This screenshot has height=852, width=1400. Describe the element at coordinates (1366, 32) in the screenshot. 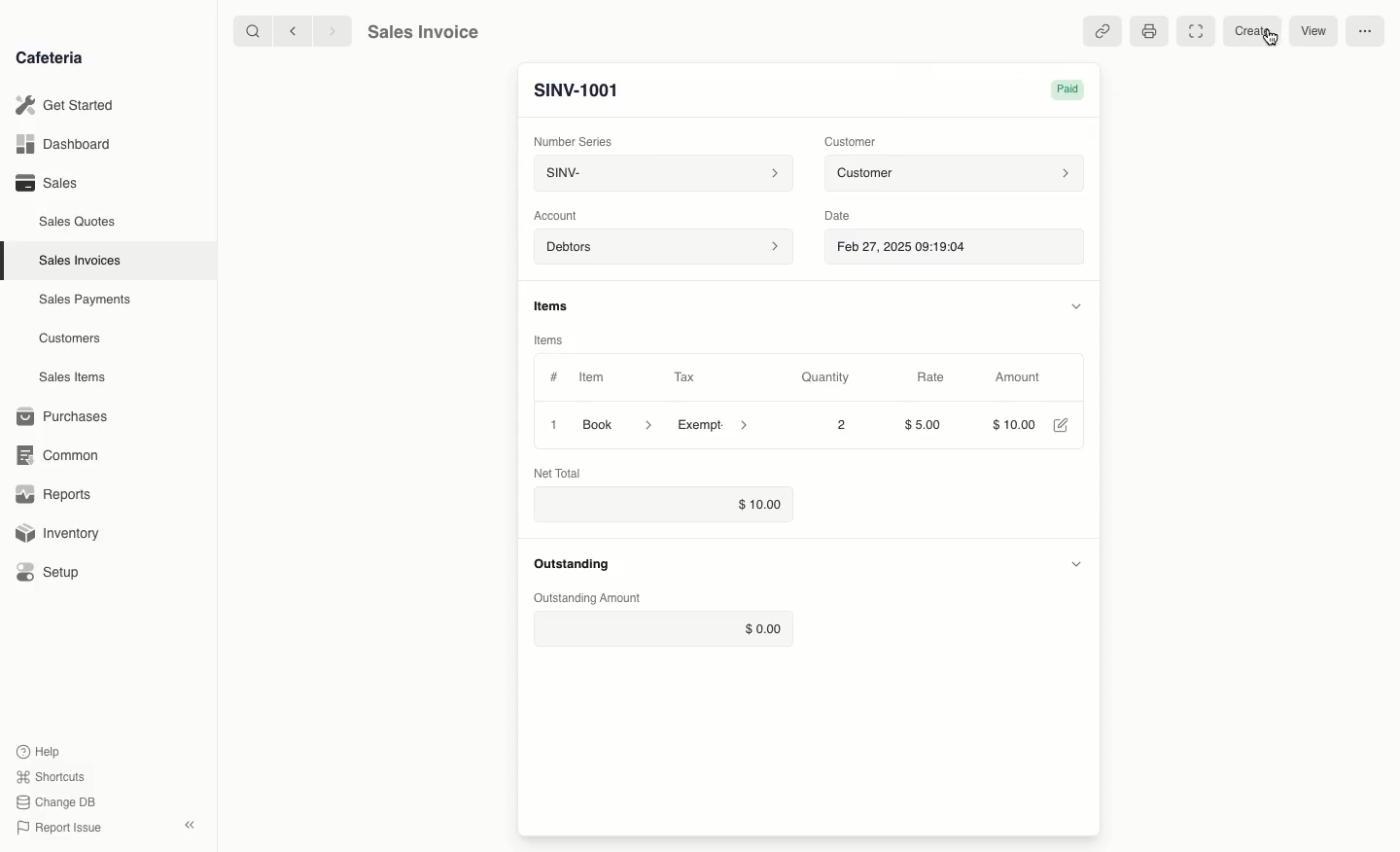

I see `more options` at that location.